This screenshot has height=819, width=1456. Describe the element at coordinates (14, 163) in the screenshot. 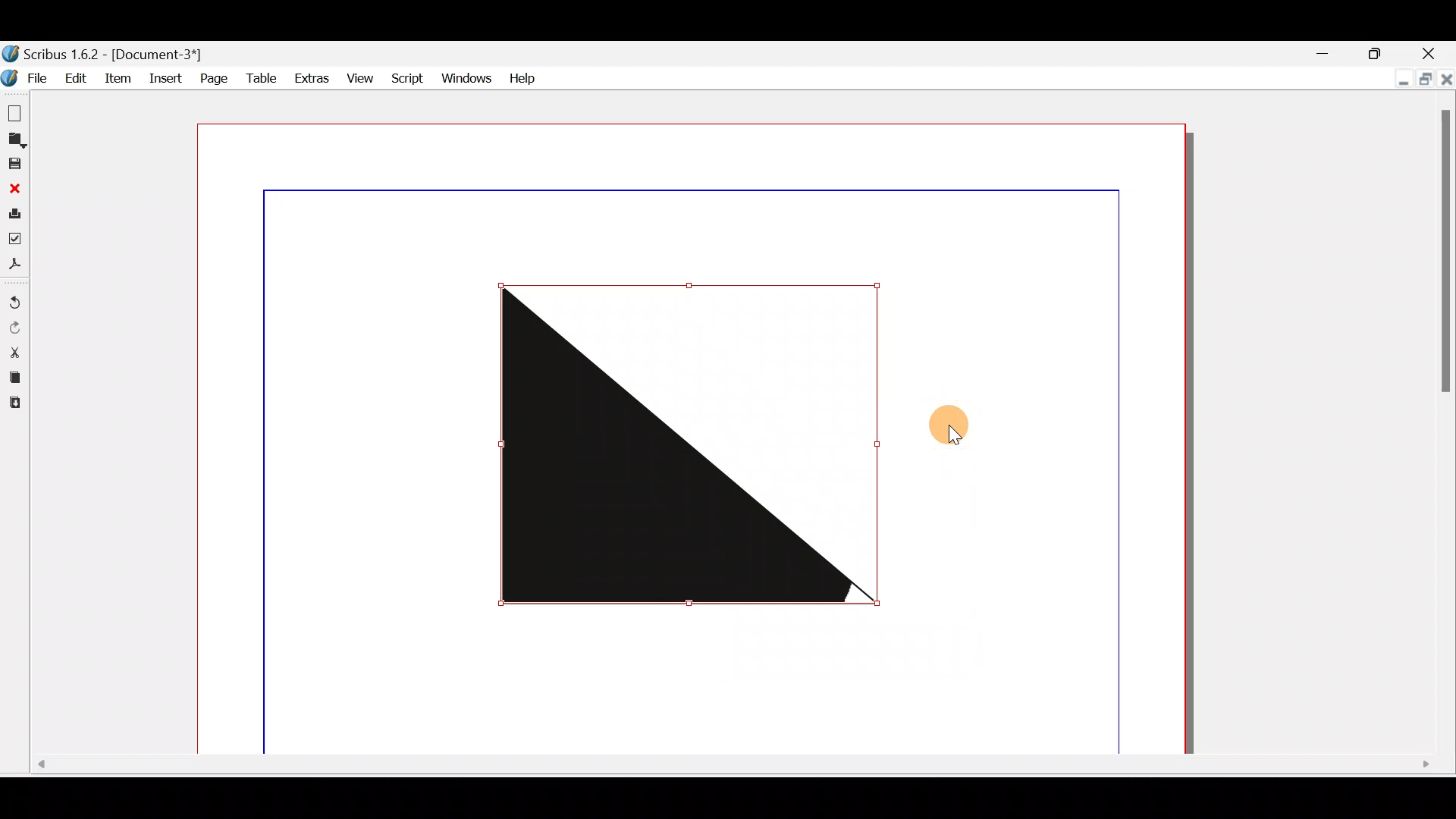

I see `Save` at that location.